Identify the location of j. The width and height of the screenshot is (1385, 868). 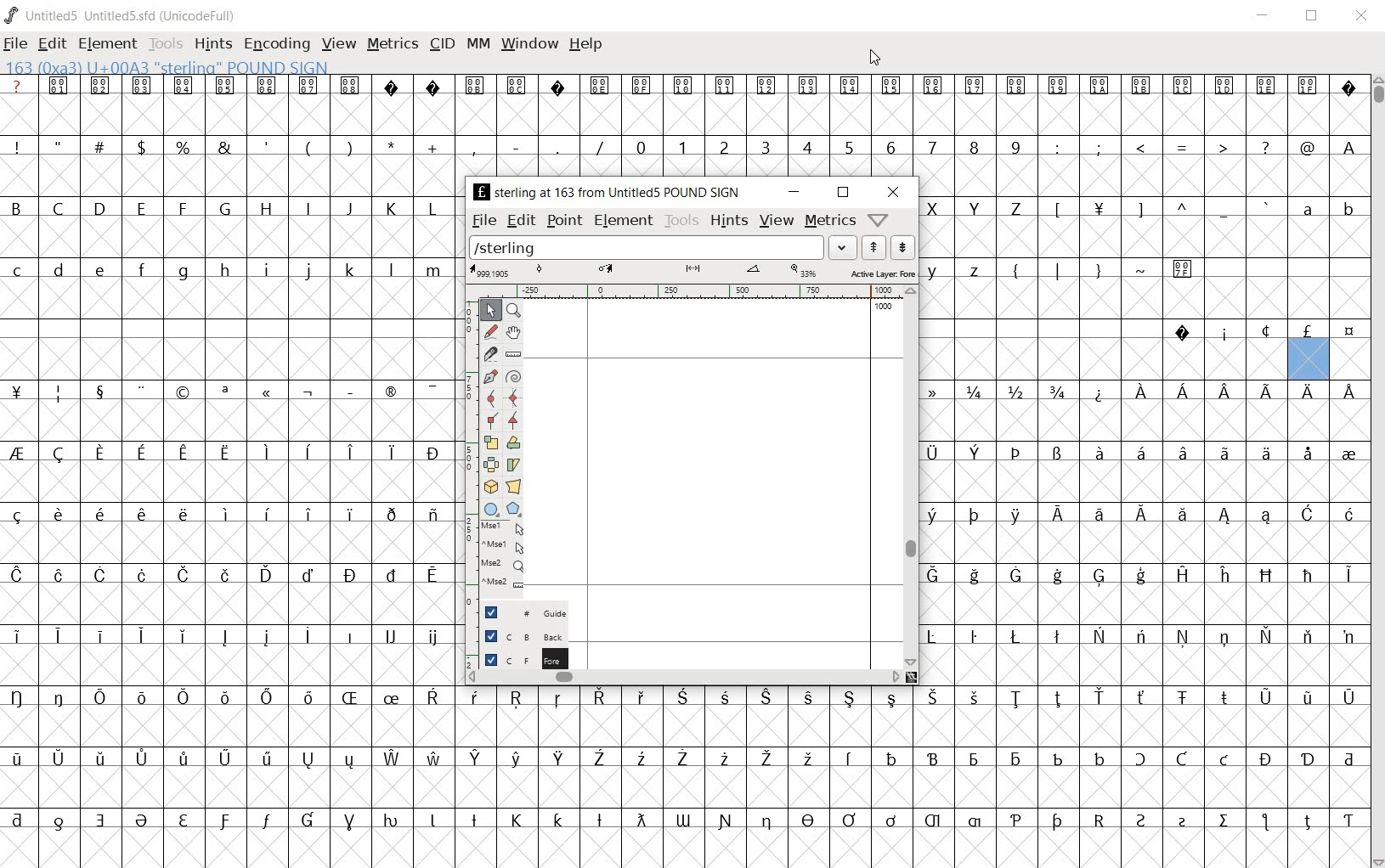
(308, 272).